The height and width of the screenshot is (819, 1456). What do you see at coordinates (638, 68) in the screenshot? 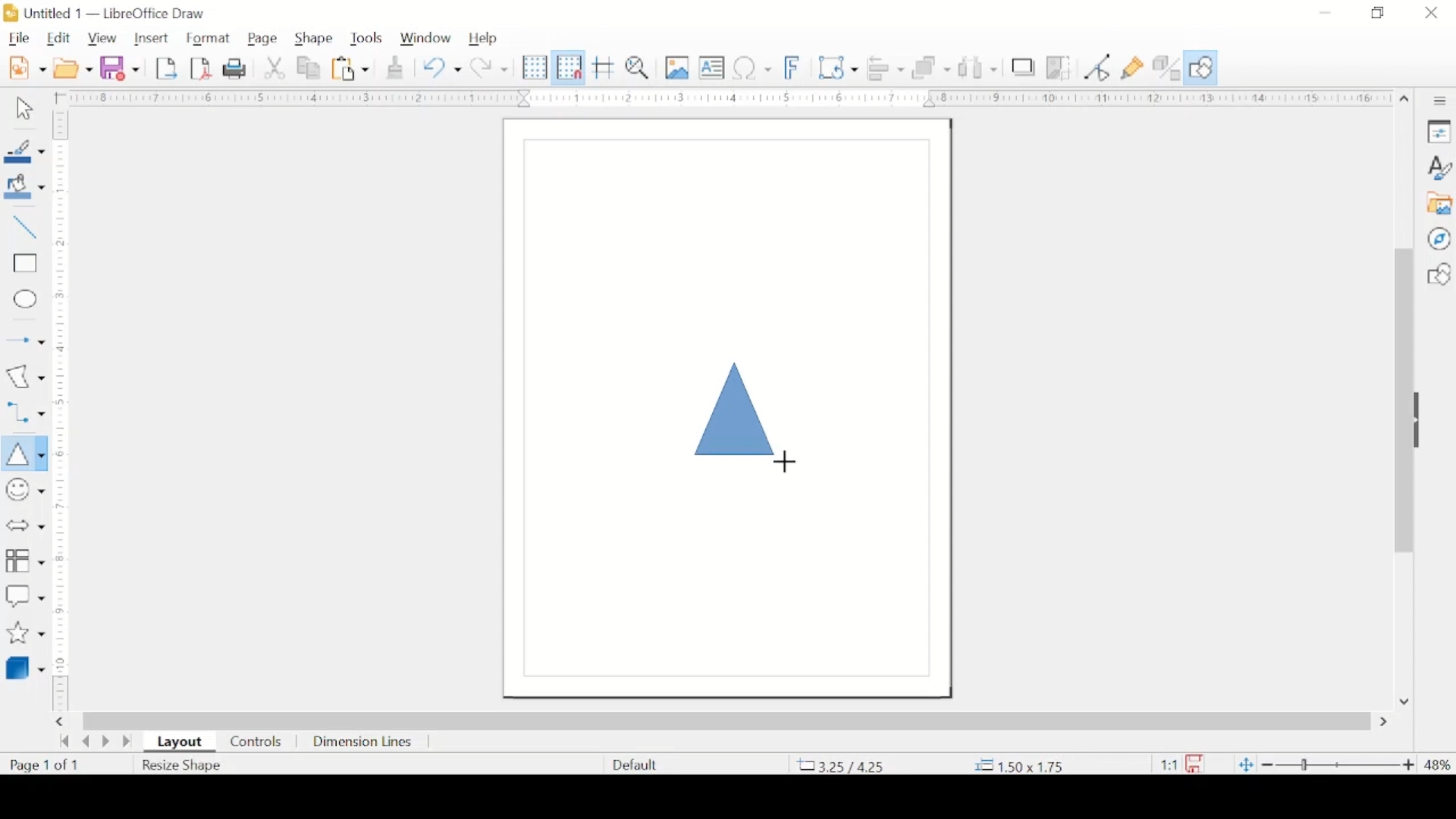
I see `zoom and pan` at bounding box center [638, 68].